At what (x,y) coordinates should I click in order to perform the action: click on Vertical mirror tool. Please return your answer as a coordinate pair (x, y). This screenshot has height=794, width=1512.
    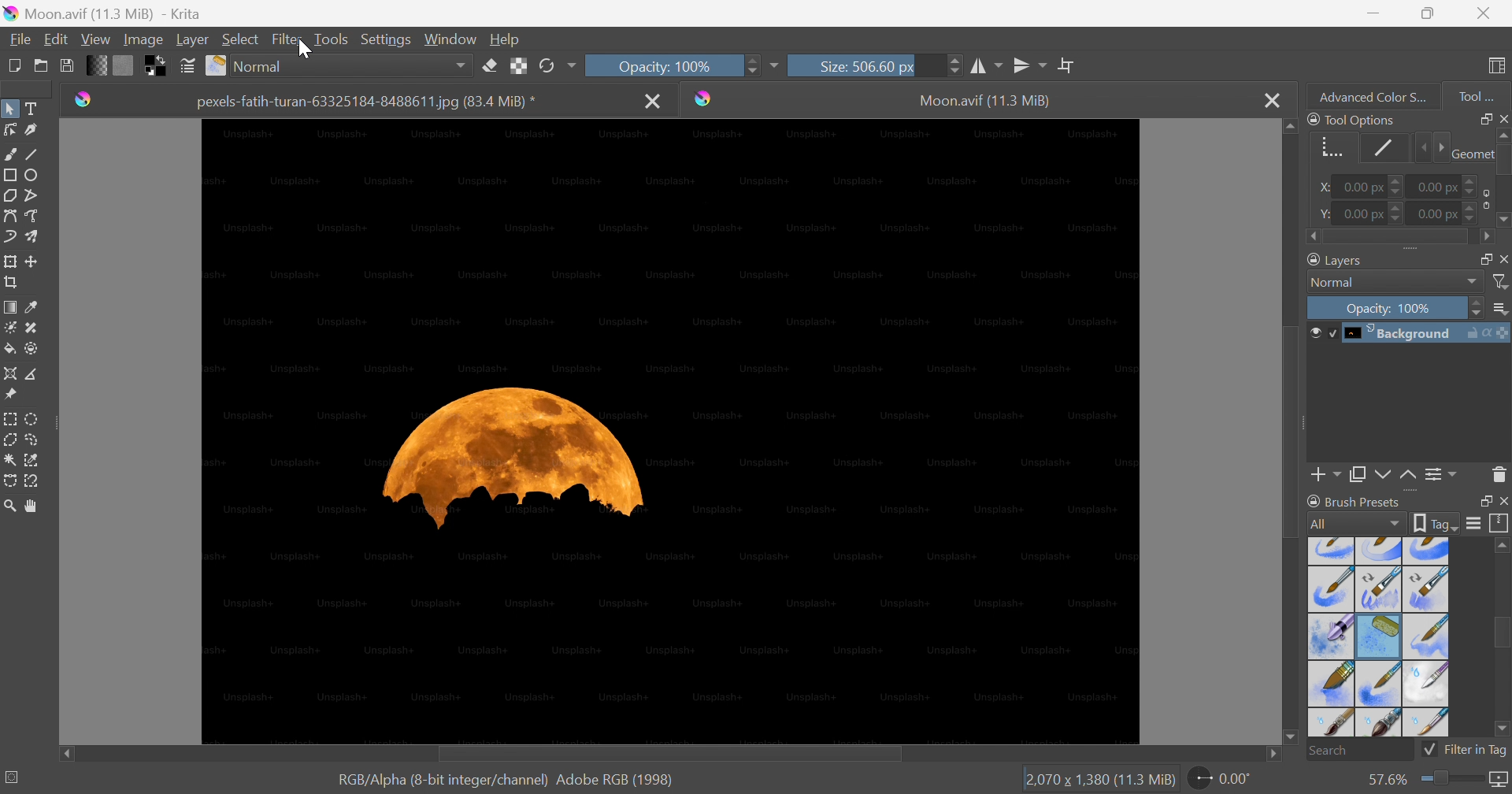
    Looking at the image, I should click on (1030, 65).